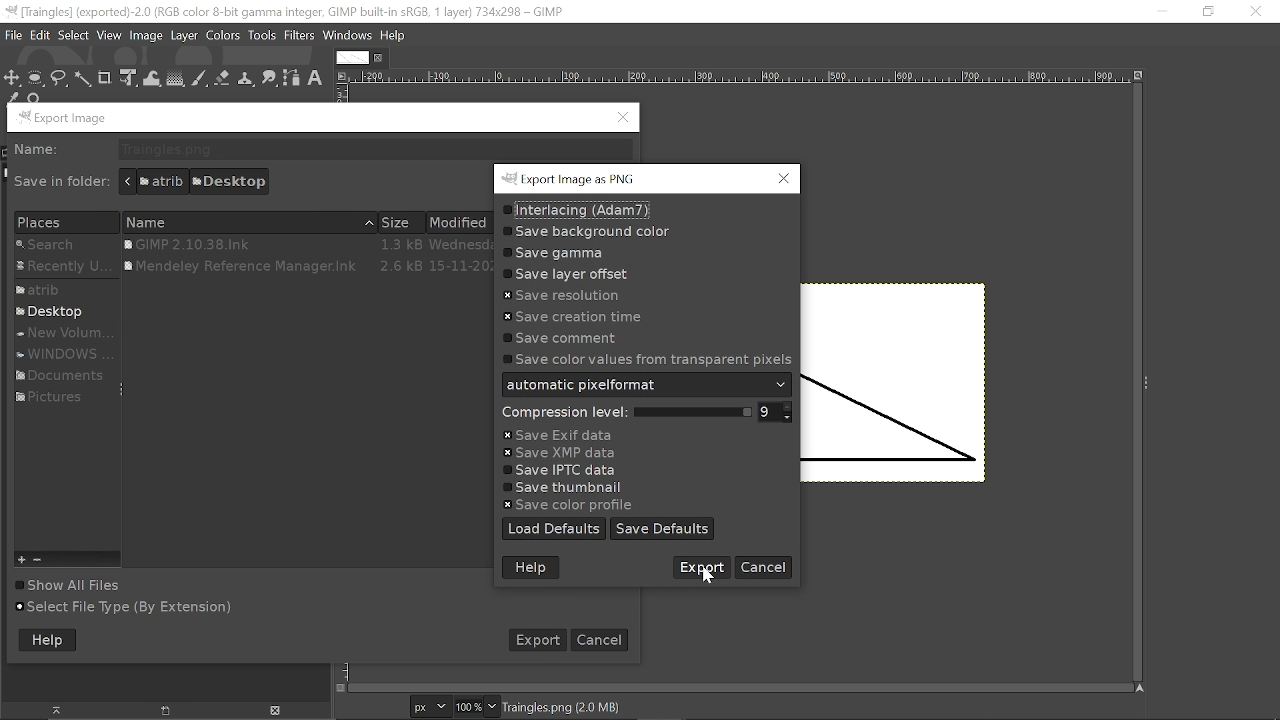 The image size is (1280, 720). Describe the element at coordinates (124, 608) in the screenshot. I see `Select File Type (By Extension)` at that location.